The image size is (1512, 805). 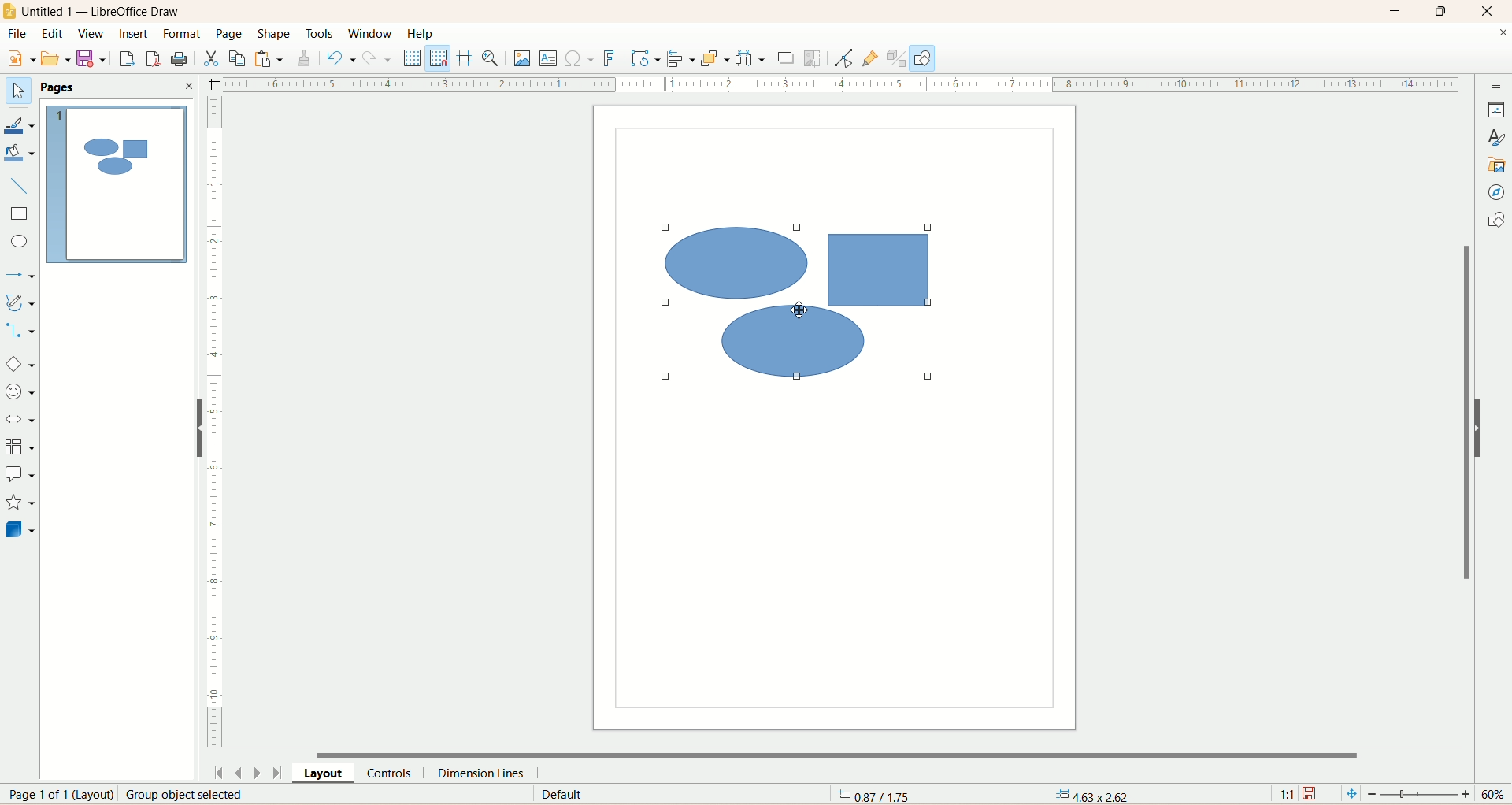 I want to click on sidebar settings, so click(x=1495, y=86).